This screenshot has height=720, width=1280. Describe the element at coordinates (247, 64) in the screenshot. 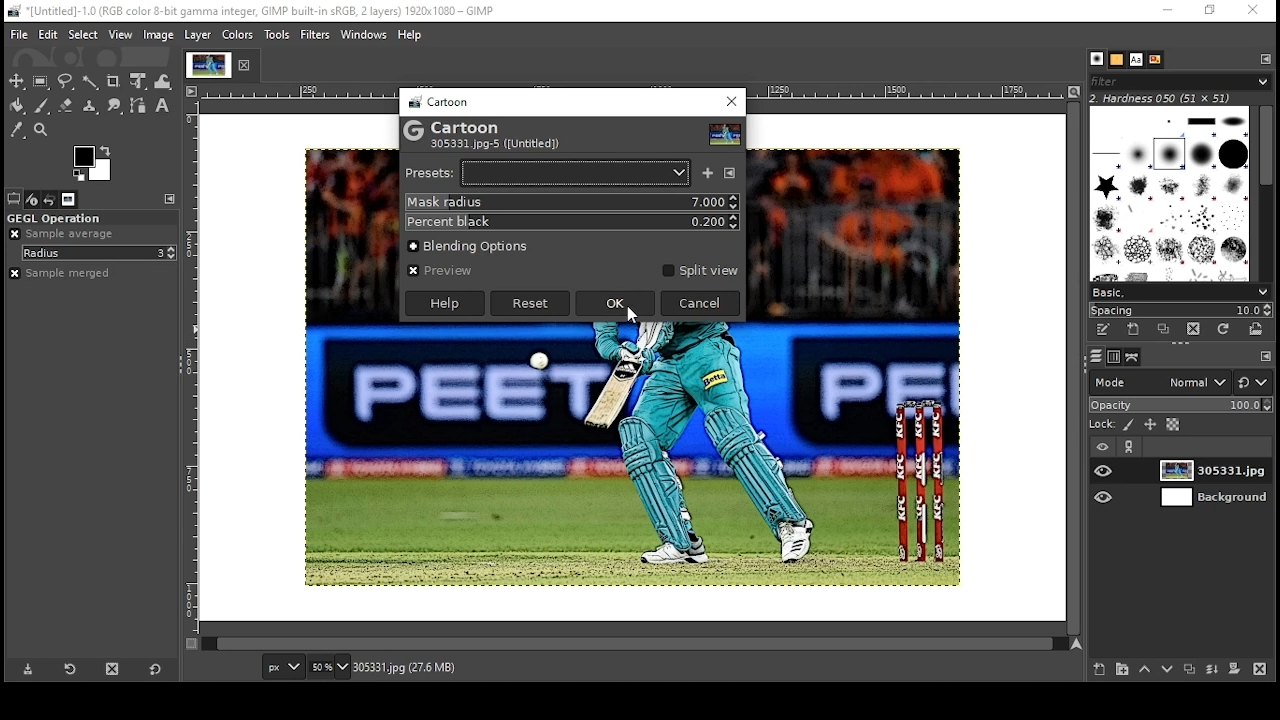

I see `close` at that location.